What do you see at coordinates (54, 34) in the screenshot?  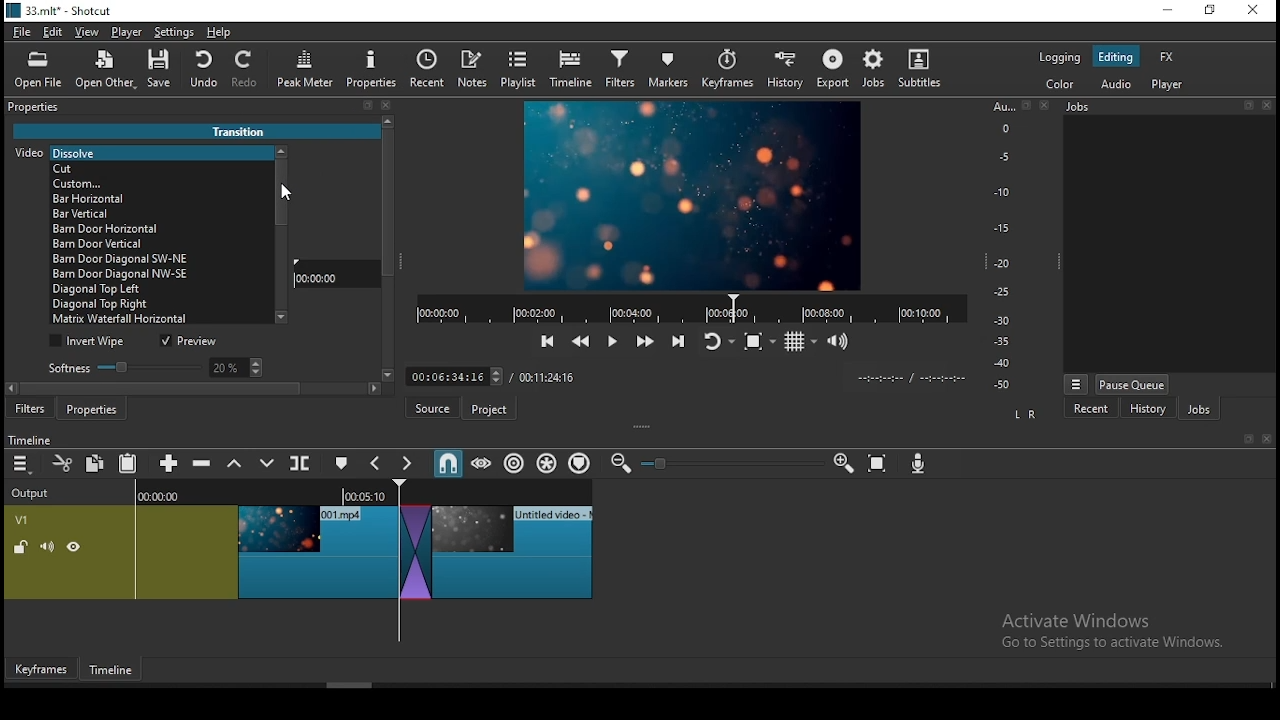 I see `edit` at bounding box center [54, 34].